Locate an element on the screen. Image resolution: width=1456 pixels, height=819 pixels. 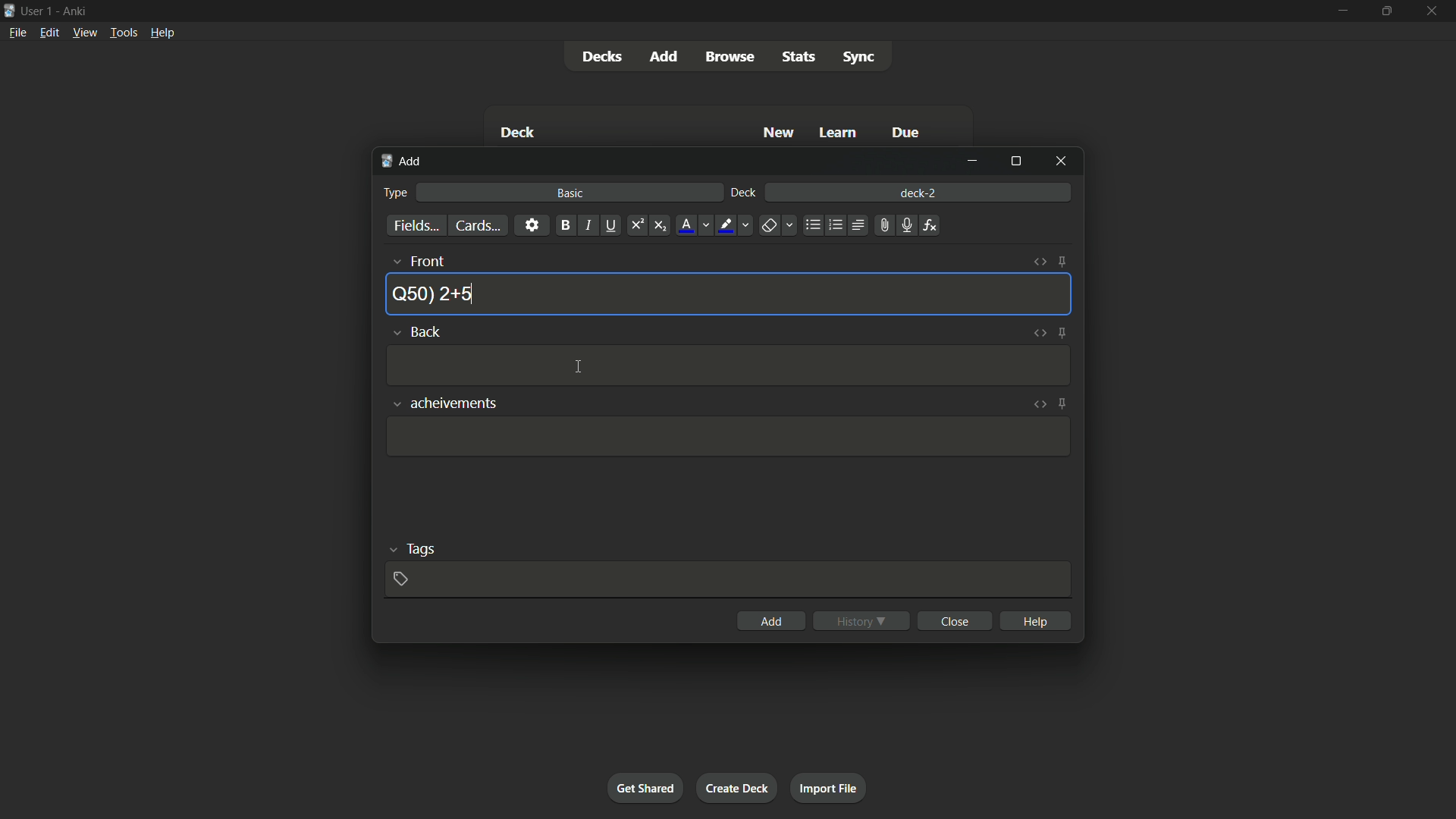
italic is located at coordinates (588, 225).